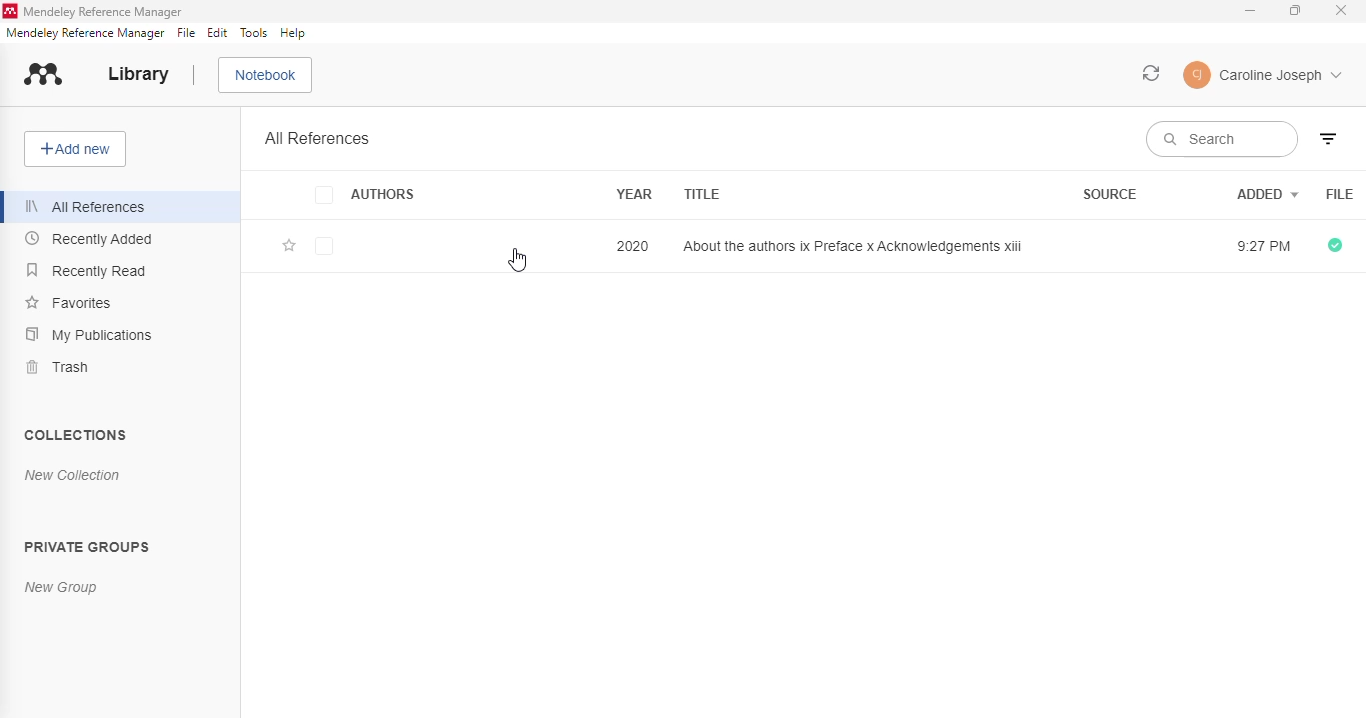 This screenshot has height=718, width=1366. Describe the element at coordinates (1267, 193) in the screenshot. I see `added` at that location.